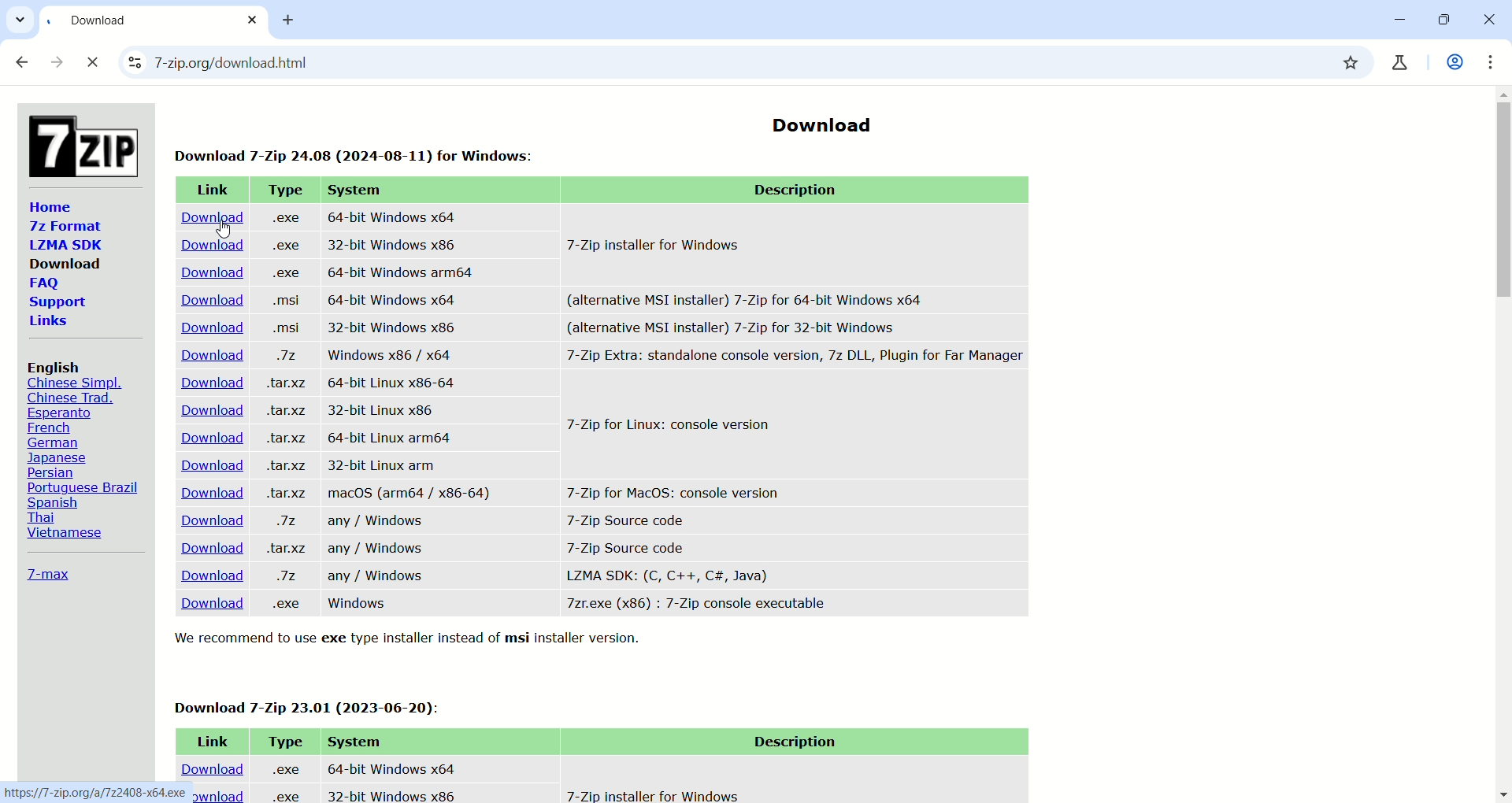  What do you see at coordinates (211, 191) in the screenshot?
I see `Link` at bounding box center [211, 191].